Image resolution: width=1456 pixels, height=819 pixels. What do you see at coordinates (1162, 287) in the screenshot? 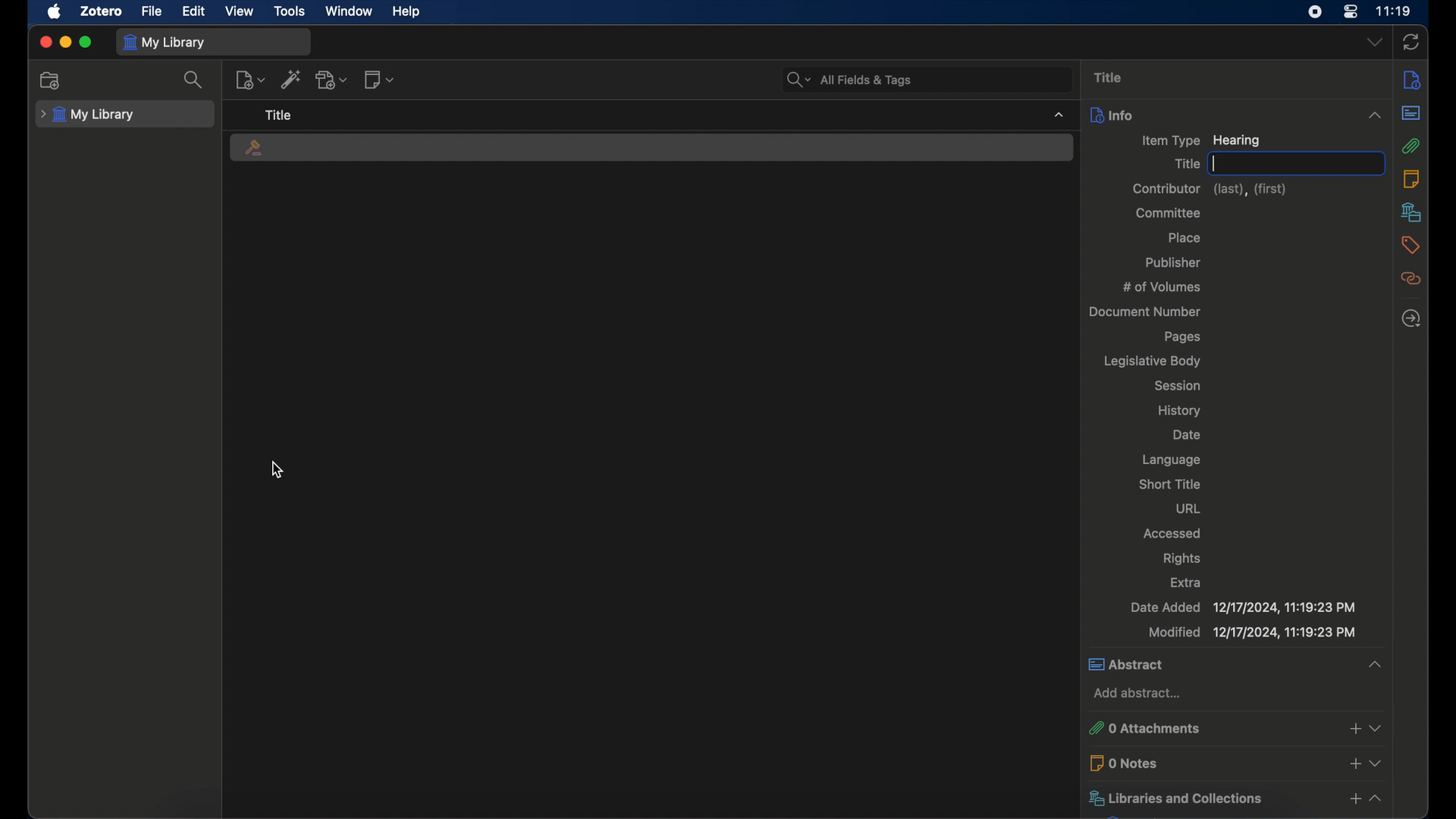
I see `no of volumes` at bounding box center [1162, 287].